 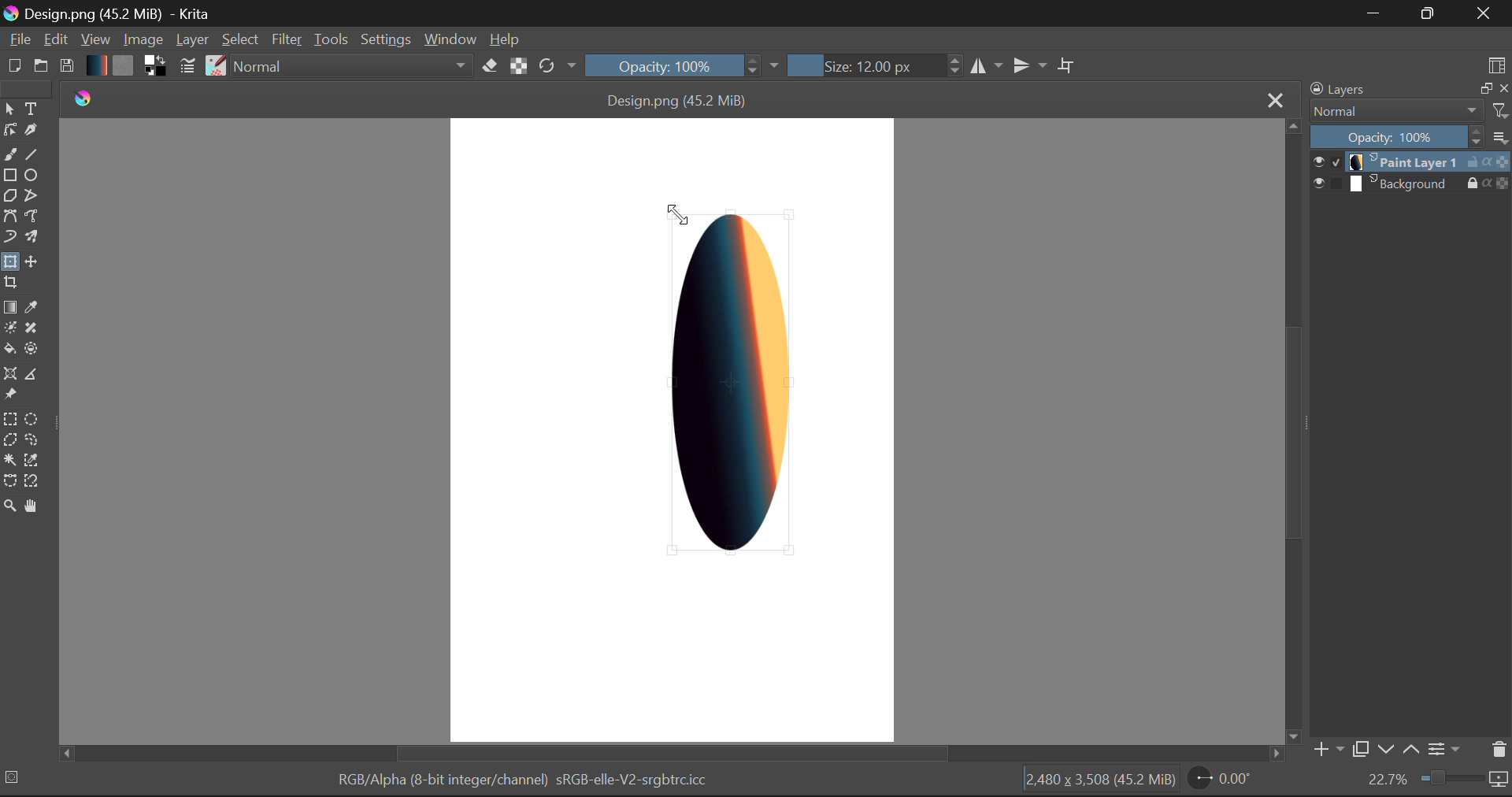 I want to click on Circular Selection, so click(x=30, y=418).